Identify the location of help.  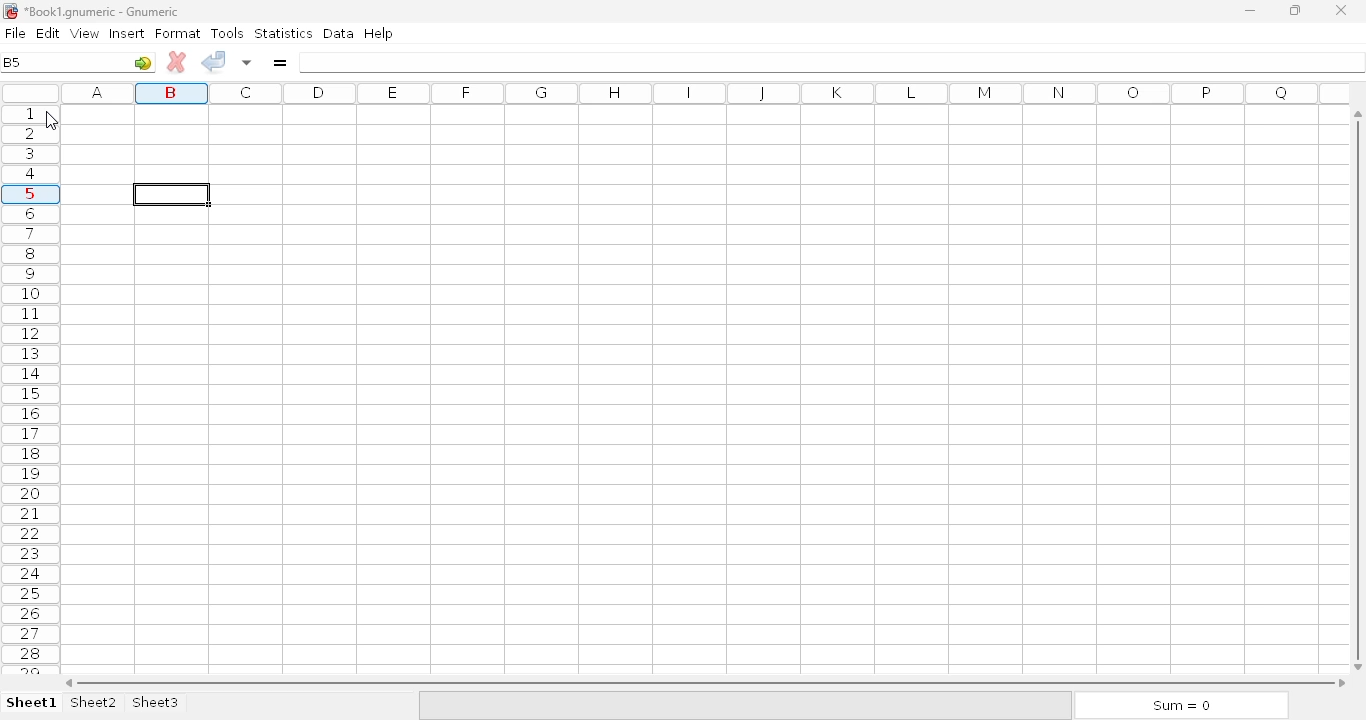
(378, 34).